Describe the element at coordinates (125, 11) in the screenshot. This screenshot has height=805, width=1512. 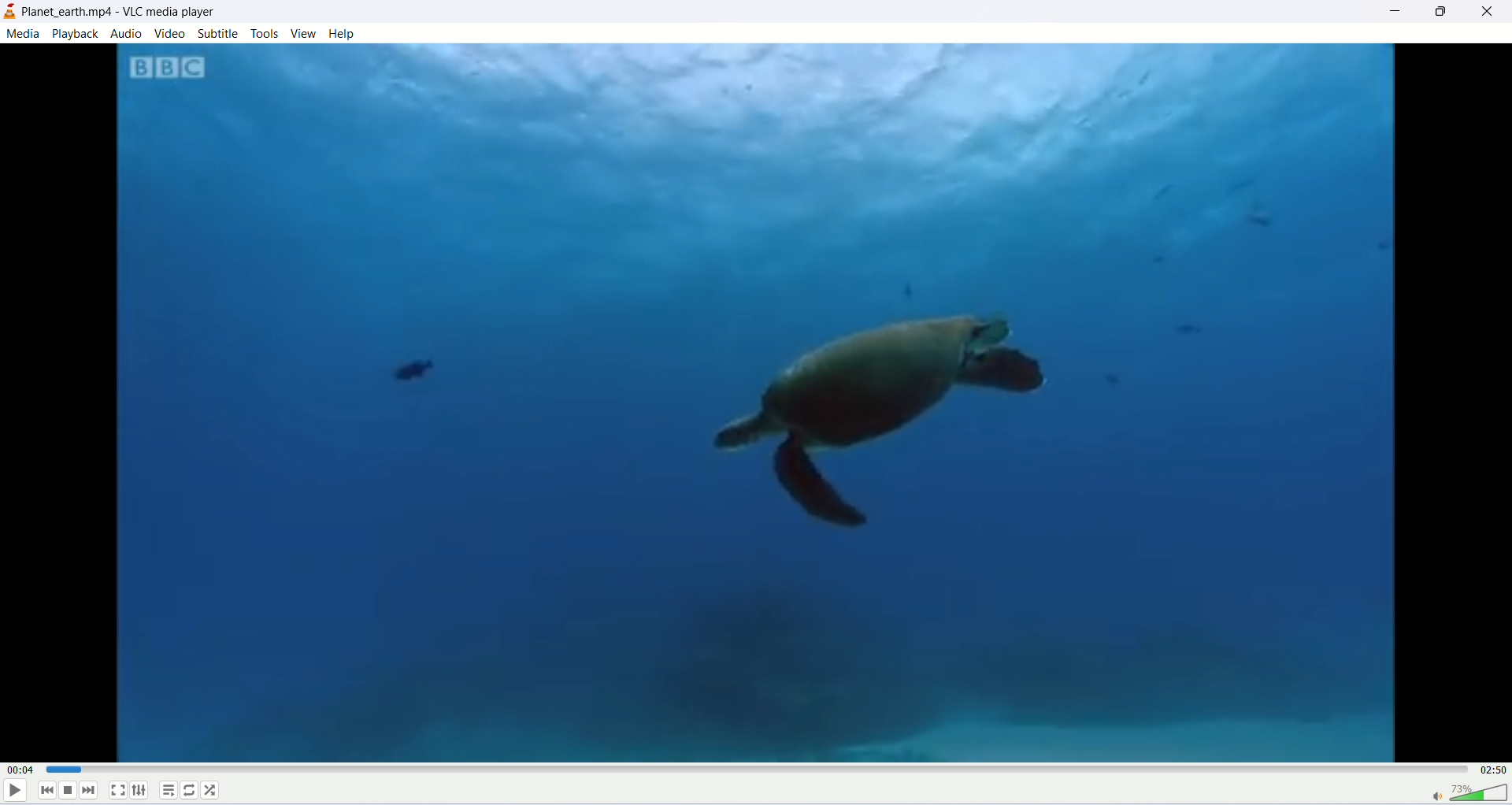
I see `planet earth.mp4-vlc media player` at that location.